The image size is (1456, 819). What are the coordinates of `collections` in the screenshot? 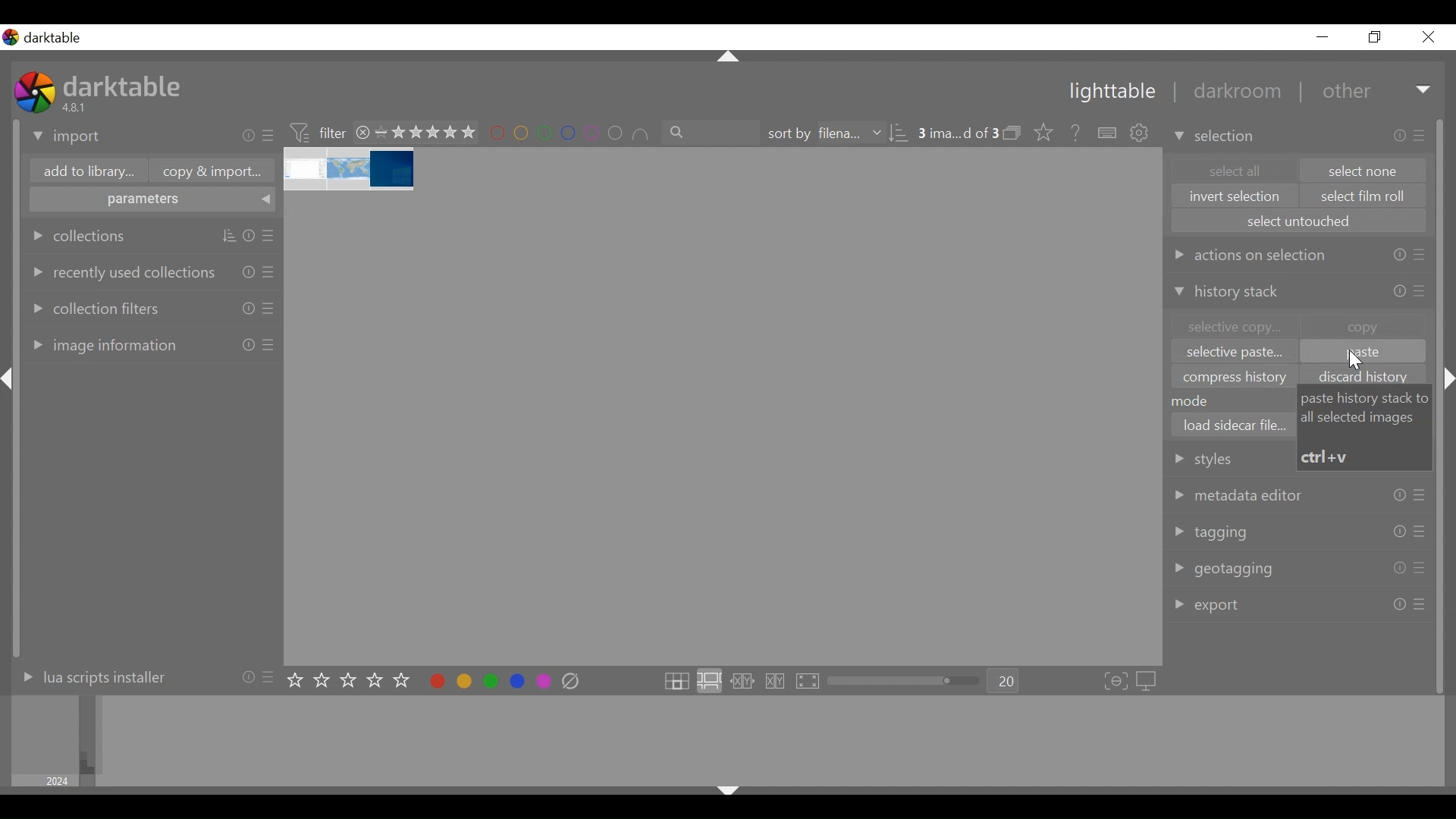 It's located at (80, 236).